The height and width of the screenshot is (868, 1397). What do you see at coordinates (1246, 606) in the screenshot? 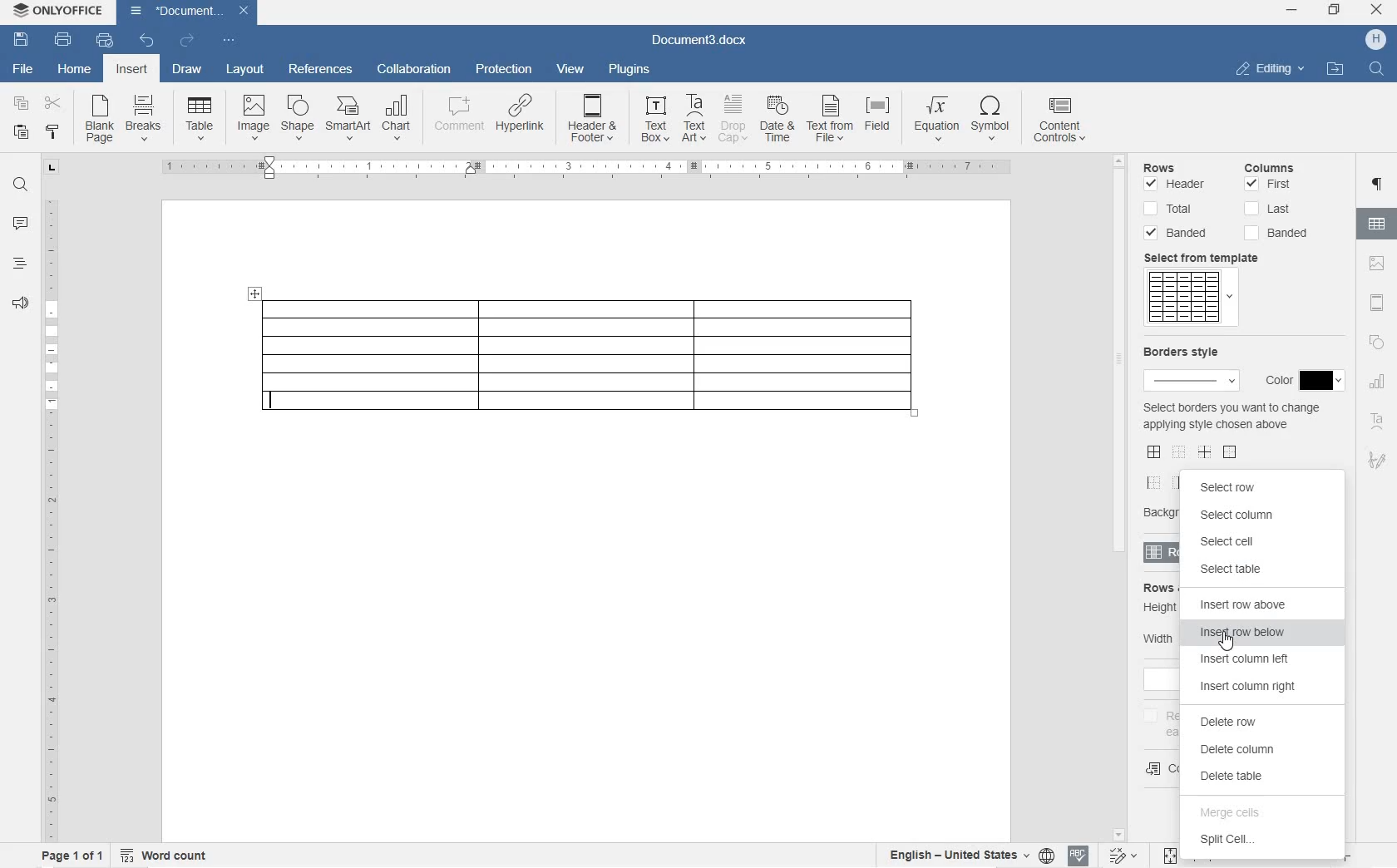
I see `insert row above` at bounding box center [1246, 606].